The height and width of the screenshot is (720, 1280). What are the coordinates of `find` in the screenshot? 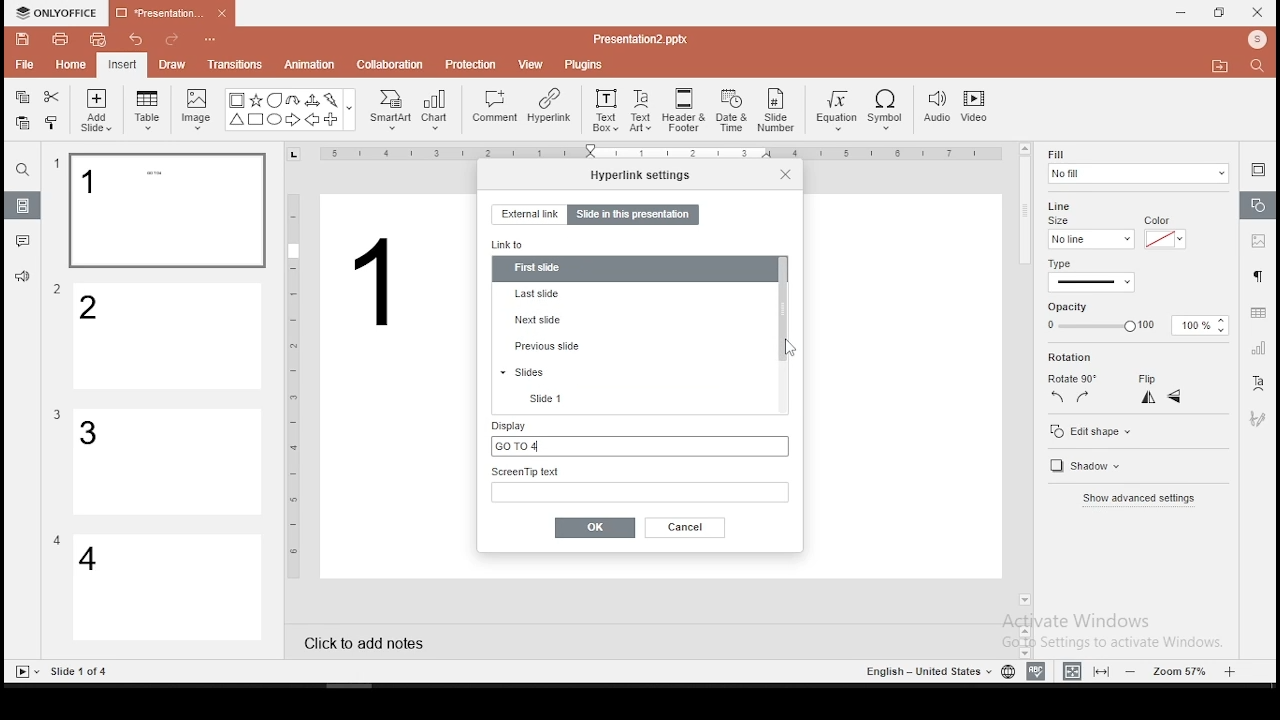 It's located at (22, 170).